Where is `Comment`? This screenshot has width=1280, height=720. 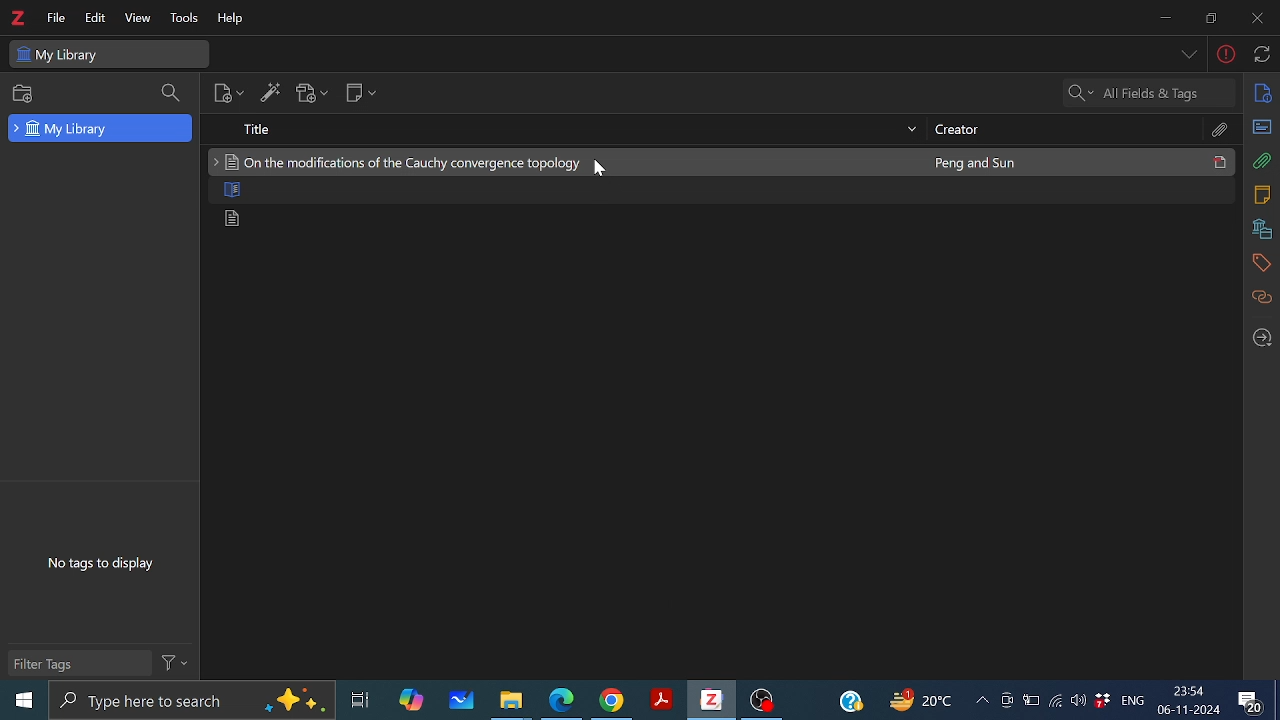
Comment is located at coordinates (1257, 699).